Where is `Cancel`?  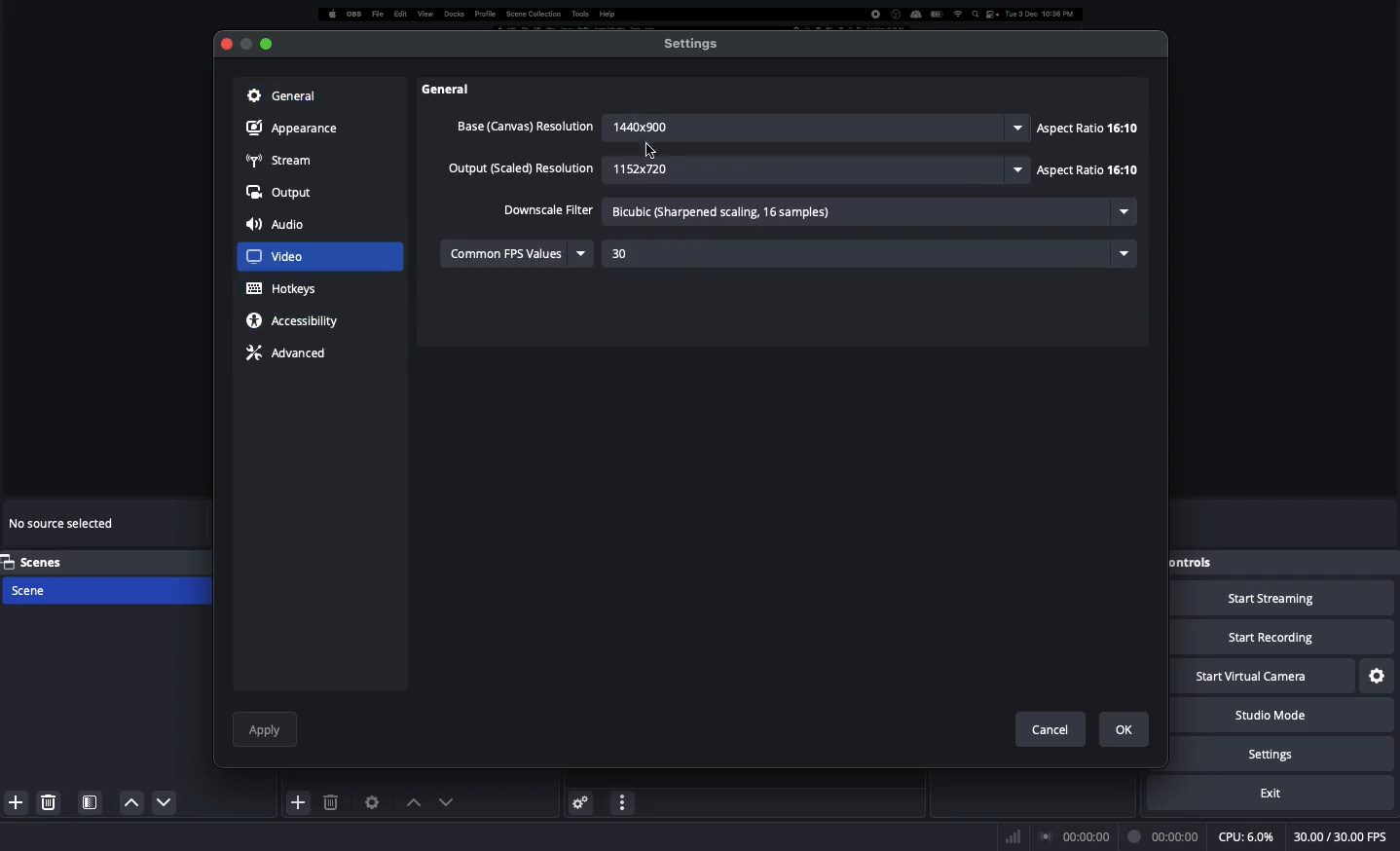 Cancel is located at coordinates (1050, 725).